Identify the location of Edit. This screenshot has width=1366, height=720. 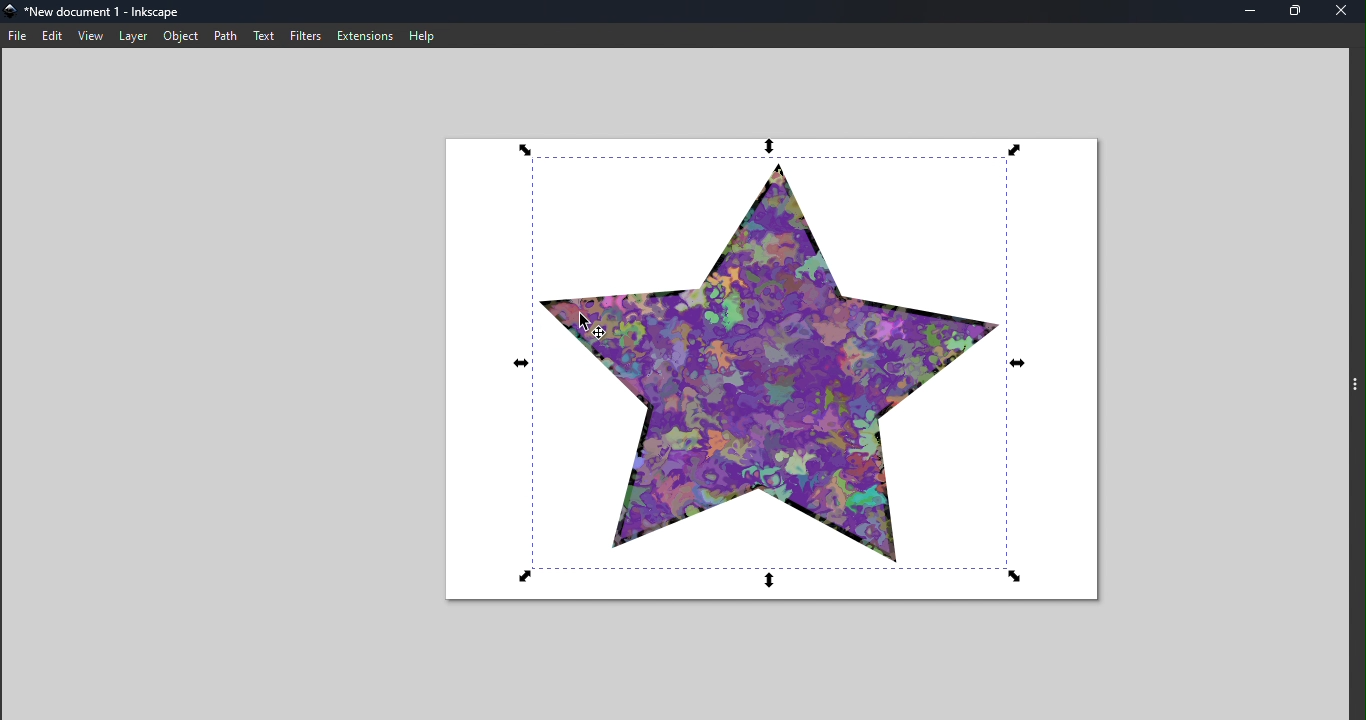
(52, 36).